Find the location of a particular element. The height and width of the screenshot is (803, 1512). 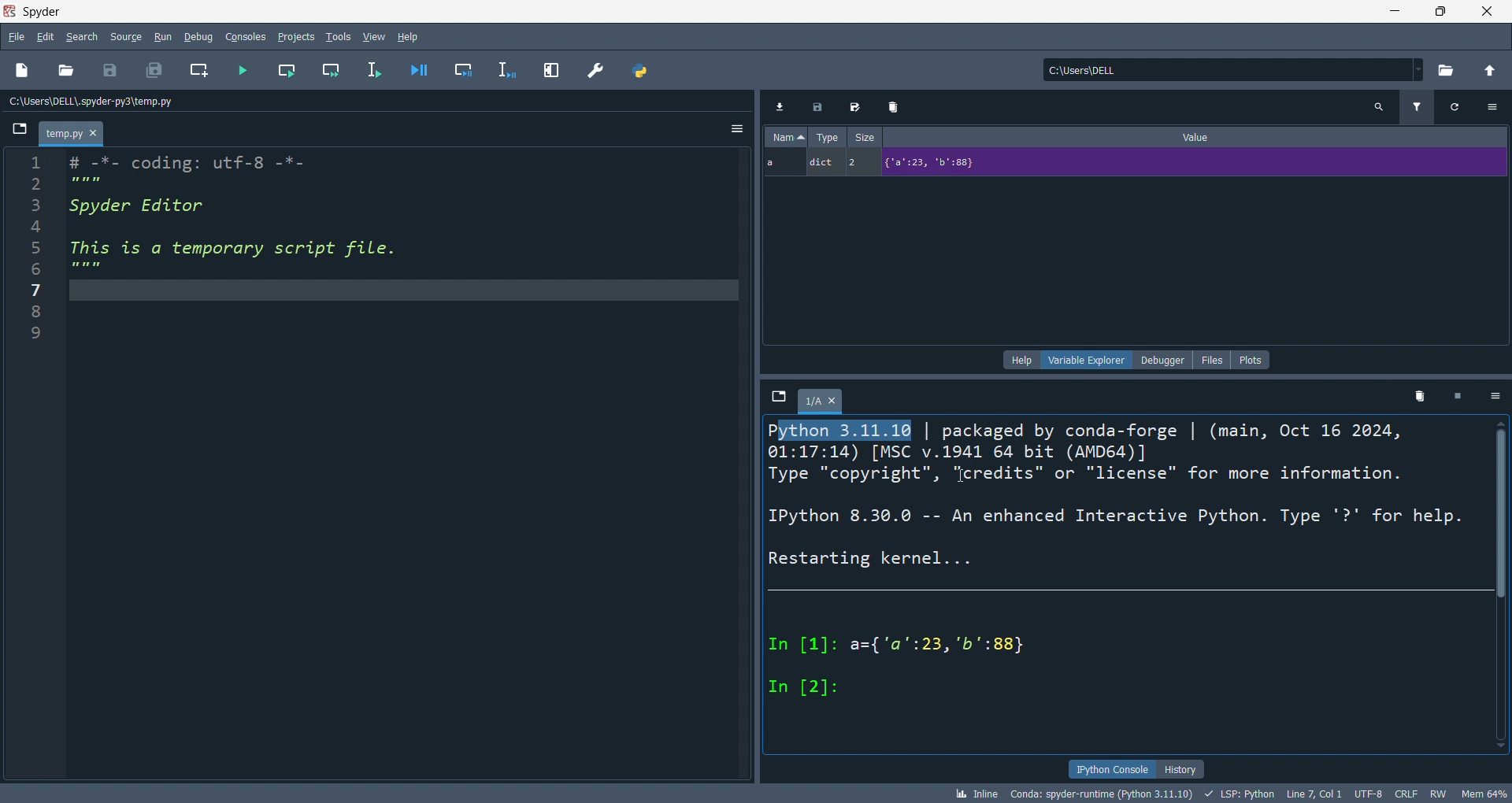

projects is located at coordinates (299, 37).